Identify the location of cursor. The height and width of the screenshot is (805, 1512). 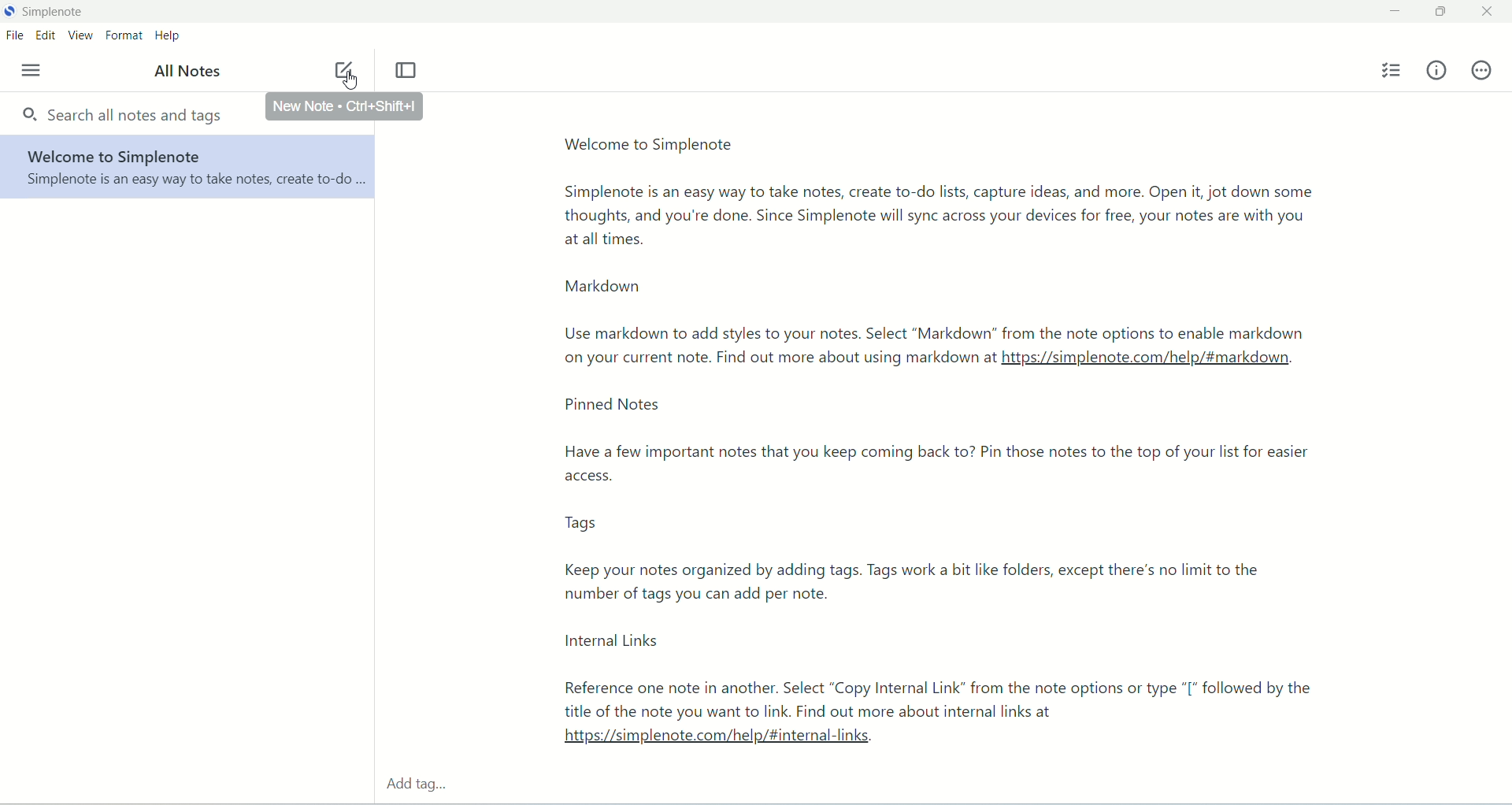
(352, 81).